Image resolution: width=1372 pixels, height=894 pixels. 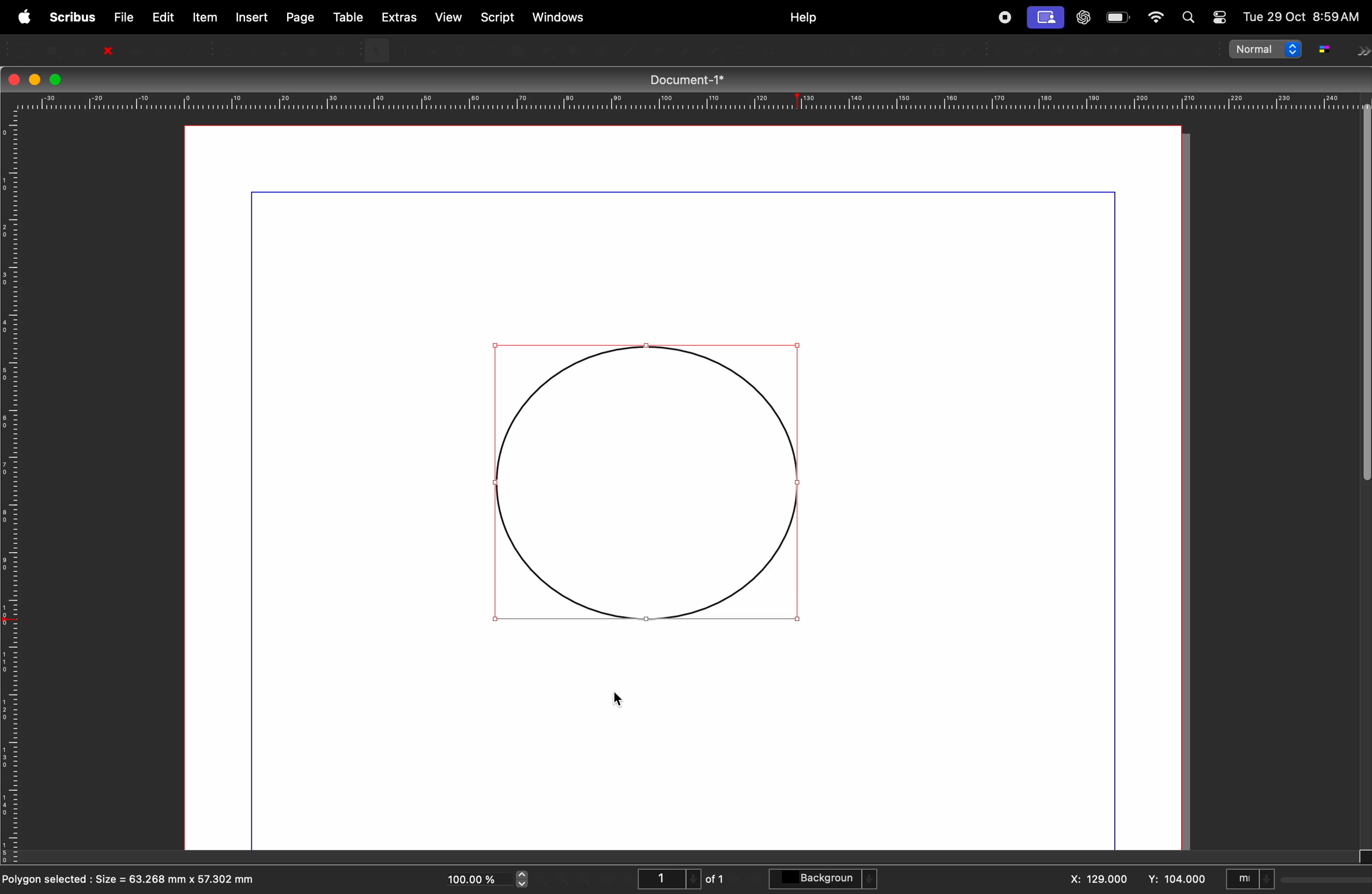 What do you see at coordinates (121, 16) in the screenshot?
I see `file` at bounding box center [121, 16].